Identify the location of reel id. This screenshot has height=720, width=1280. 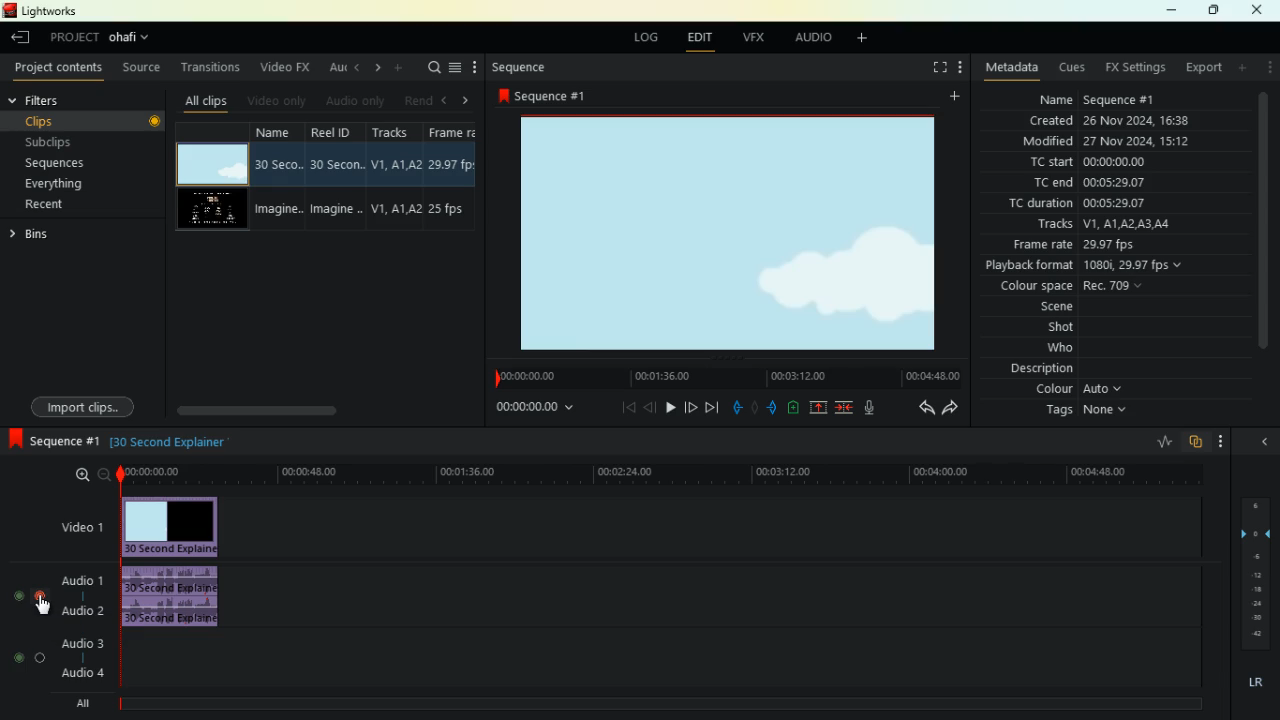
(336, 176).